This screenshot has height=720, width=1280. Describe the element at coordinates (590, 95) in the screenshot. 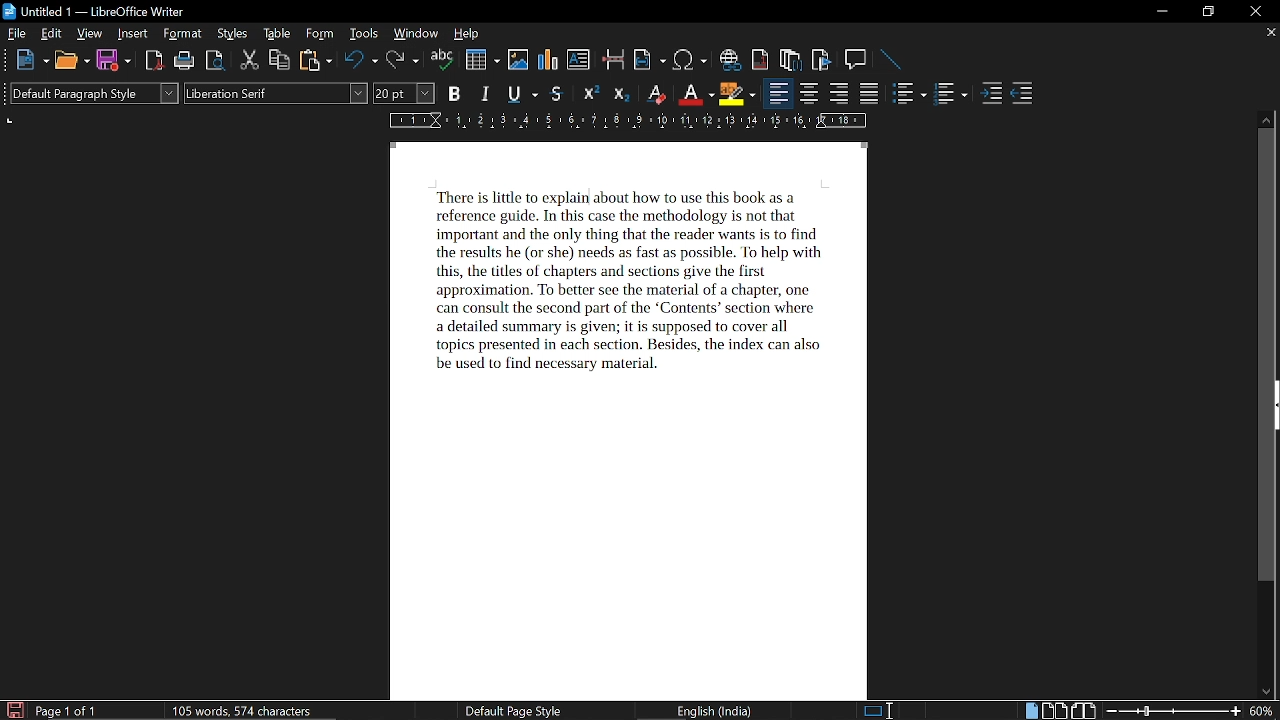

I see `superscript` at that location.